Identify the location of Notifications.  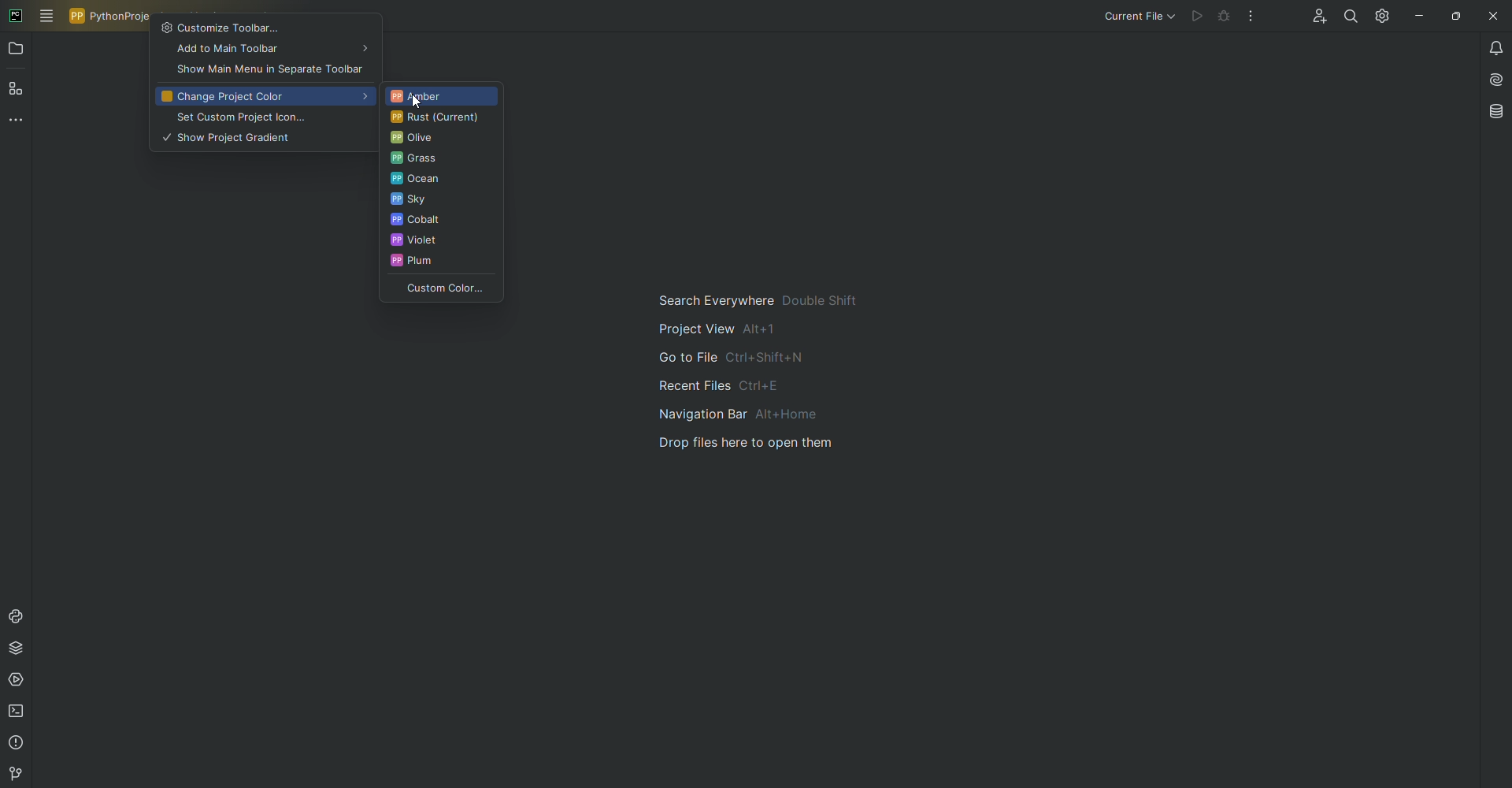
(1492, 48).